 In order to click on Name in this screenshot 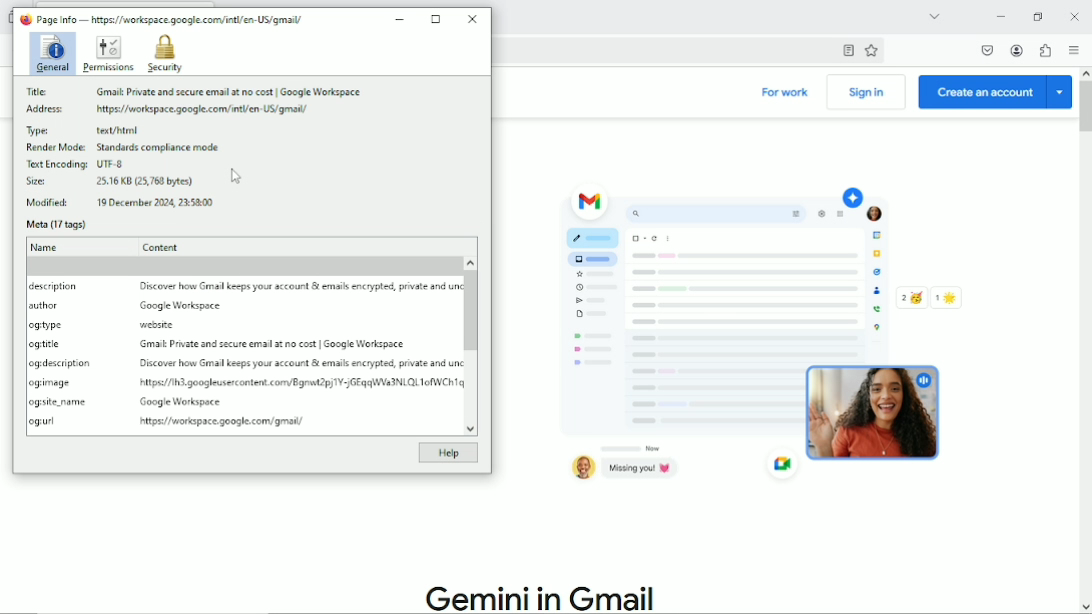, I will do `click(46, 248)`.